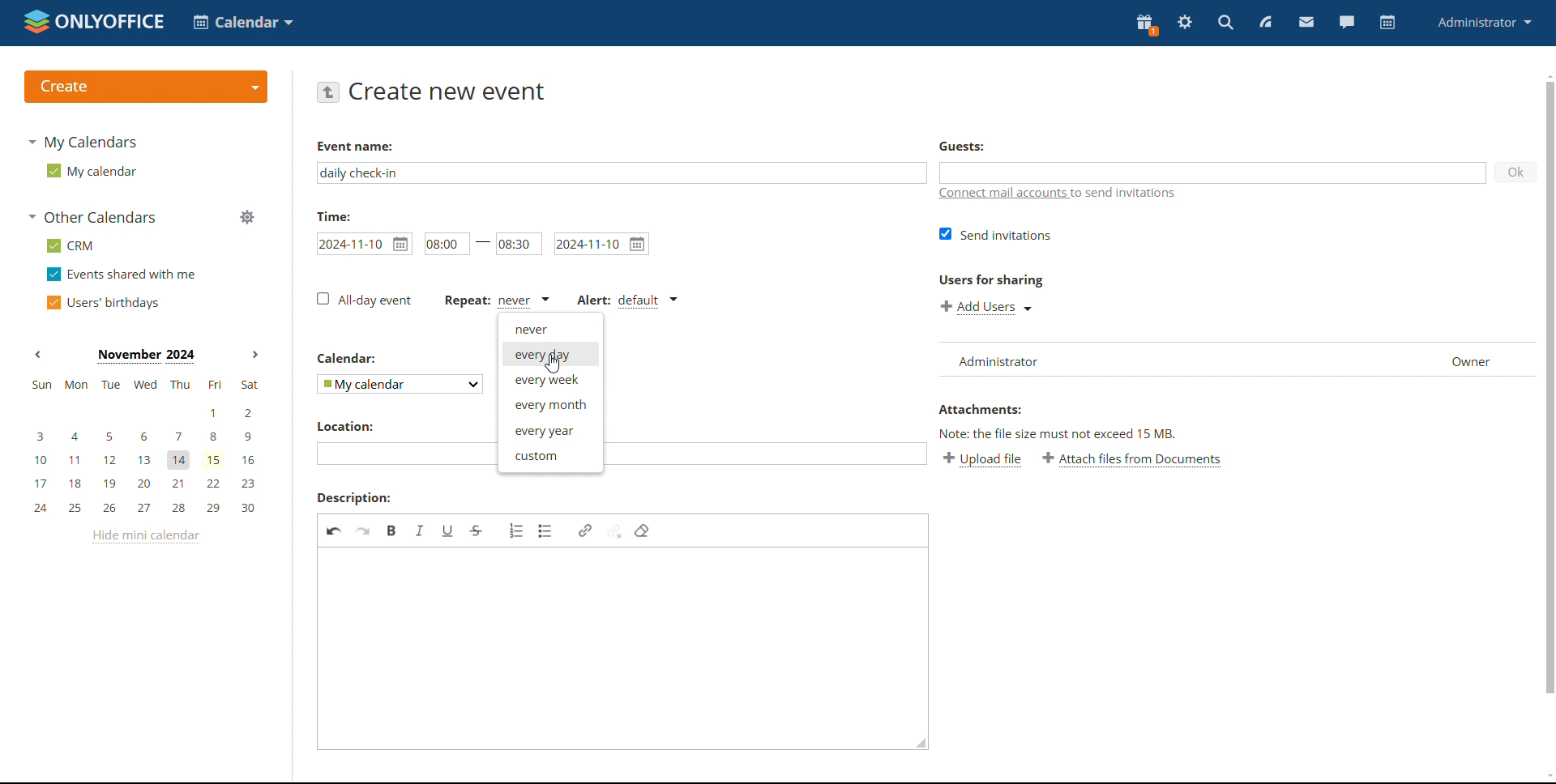 This screenshot has width=1556, height=784. I want to click on event name:, so click(369, 147).